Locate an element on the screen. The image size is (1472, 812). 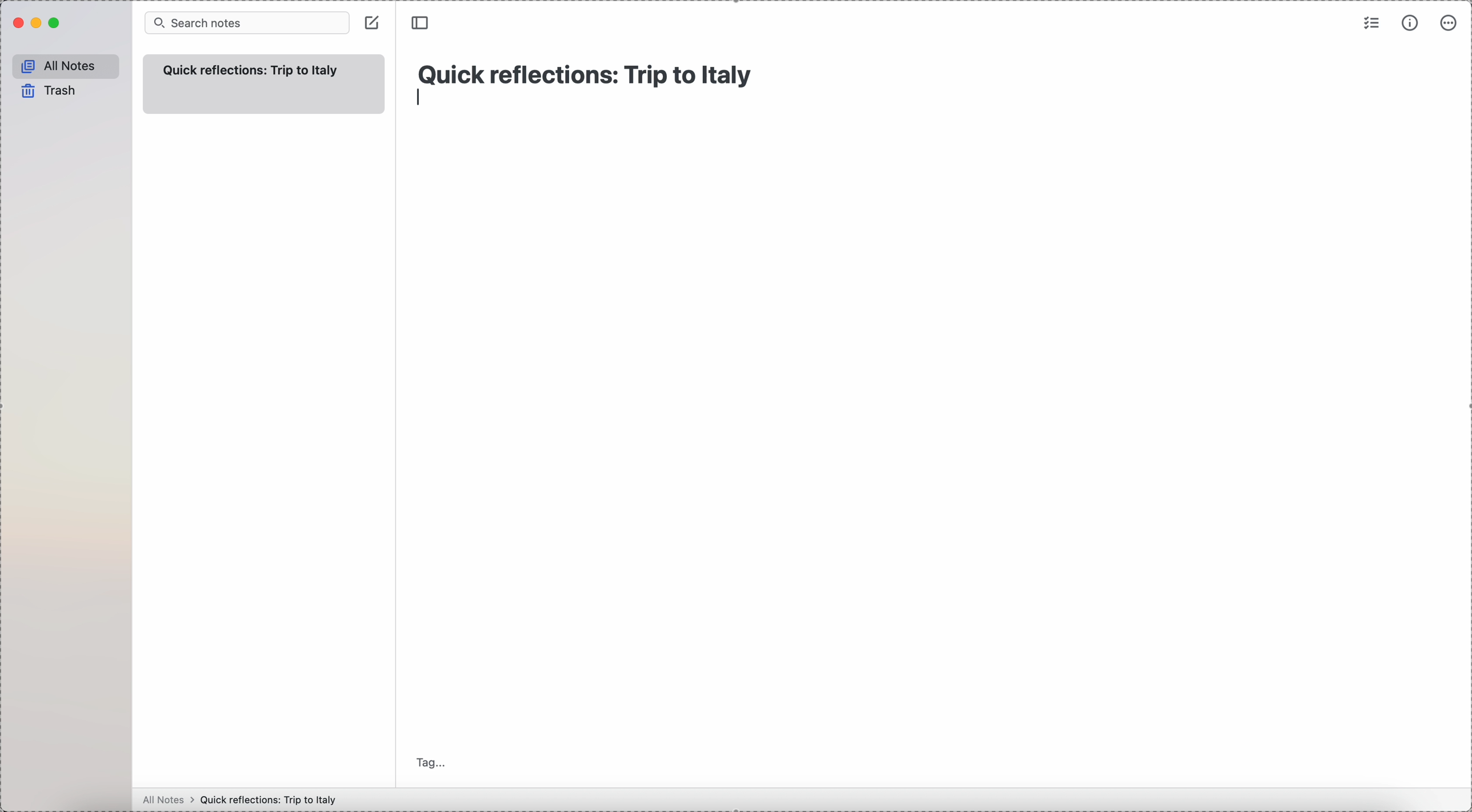
minimize is located at coordinates (38, 24).